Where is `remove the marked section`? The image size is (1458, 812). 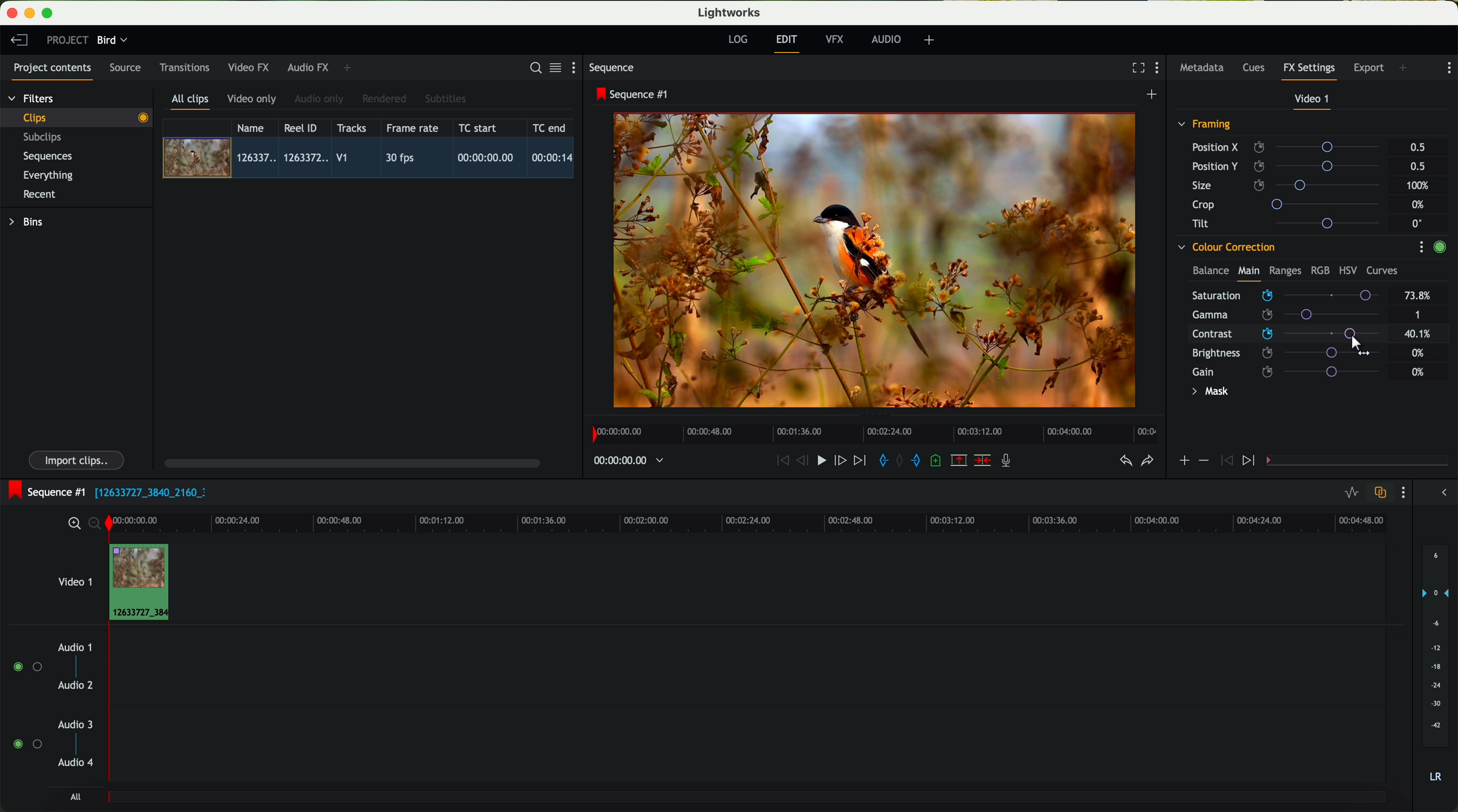 remove the marked section is located at coordinates (960, 461).